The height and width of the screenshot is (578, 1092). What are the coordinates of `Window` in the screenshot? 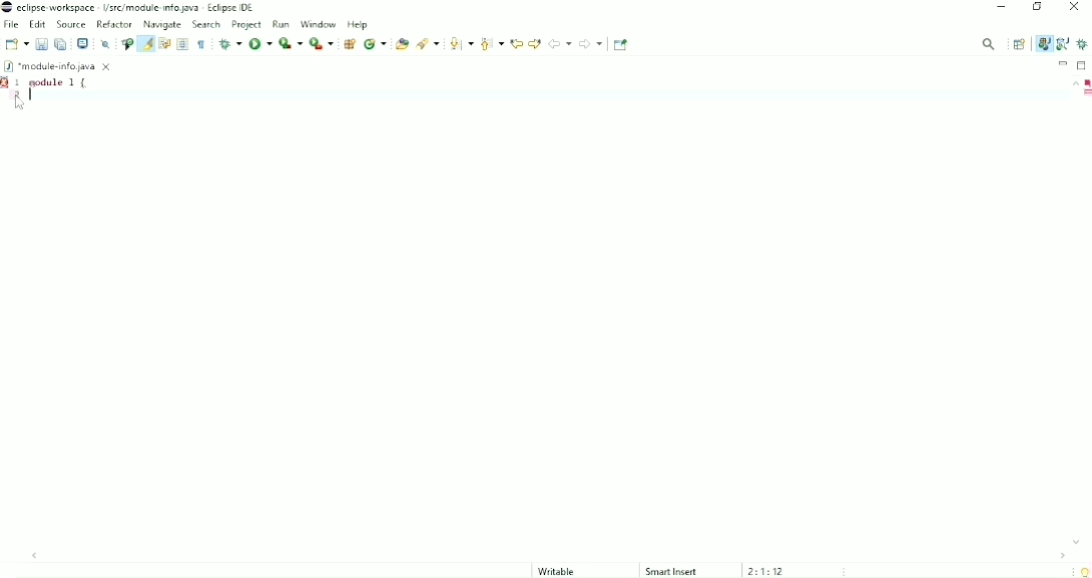 It's located at (319, 23).